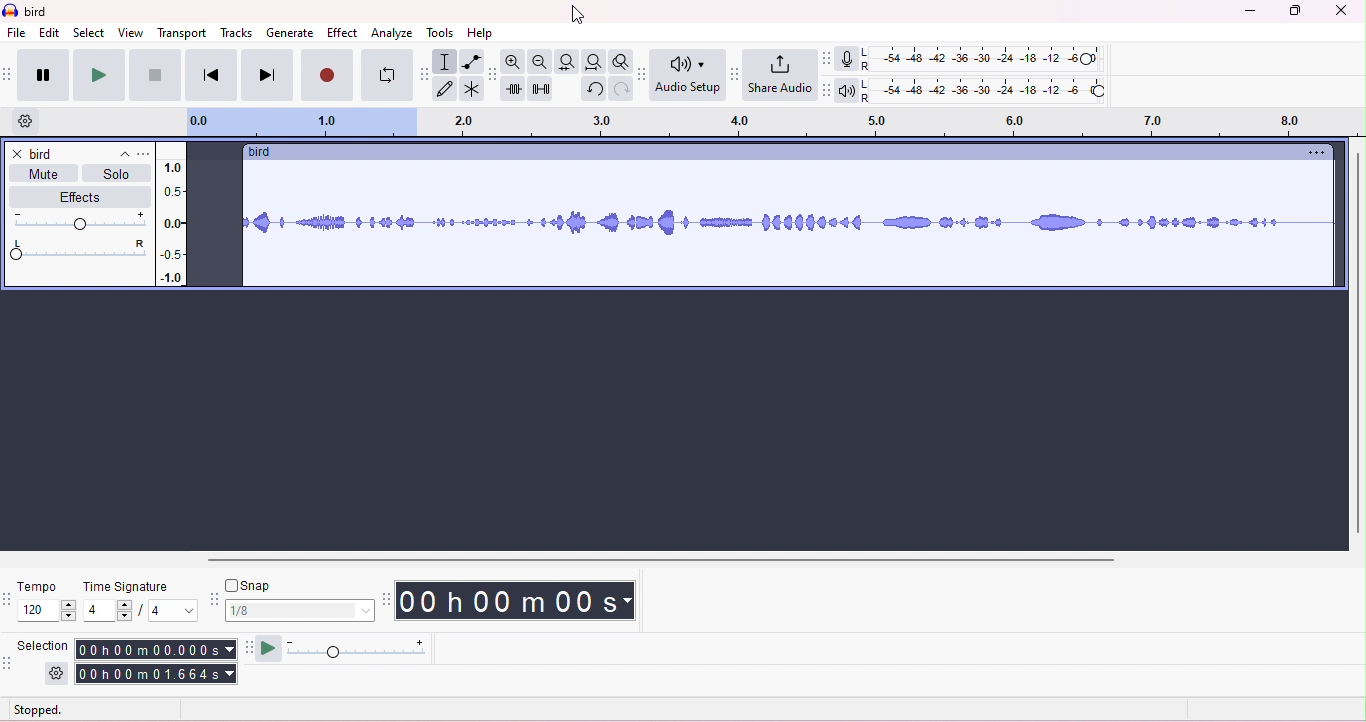  What do you see at coordinates (593, 63) in the screenshot?
I see `fit project to width` at bounding box center [593, 63].